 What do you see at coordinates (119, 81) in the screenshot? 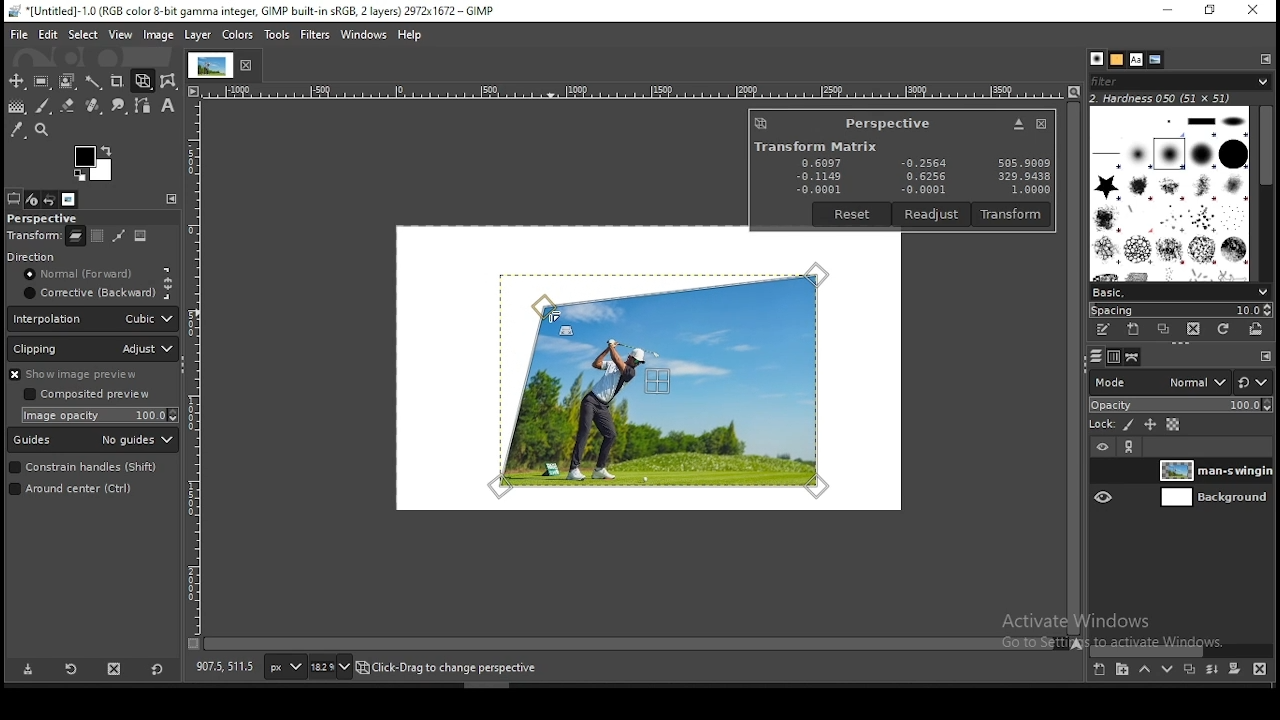
I see `crop tool` at bounding box center [119, 81].